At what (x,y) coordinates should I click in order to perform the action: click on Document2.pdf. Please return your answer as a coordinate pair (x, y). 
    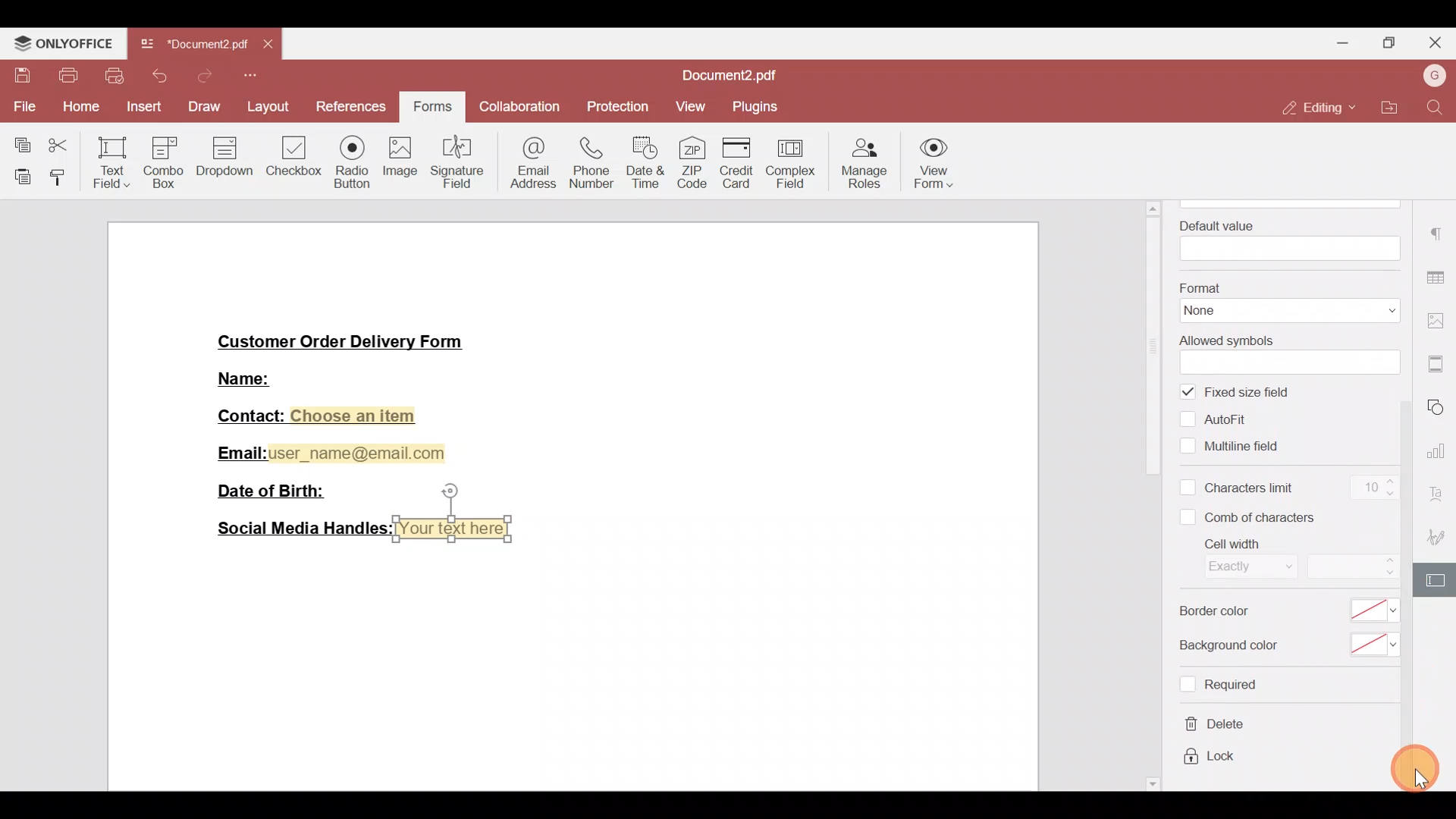
    Looking at the image, I should click on (193, 48).